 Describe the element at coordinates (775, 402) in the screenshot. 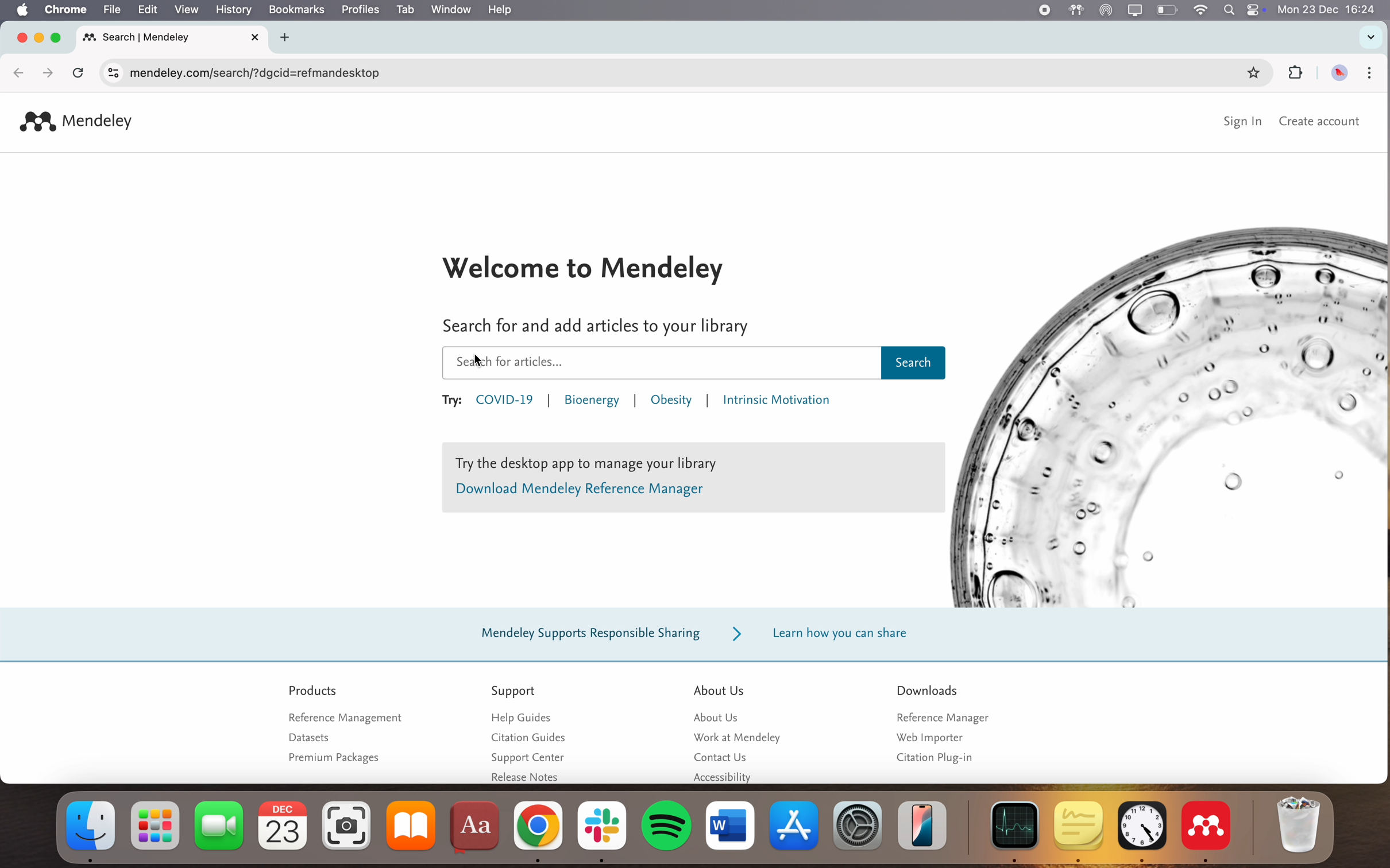

I see `intrinsic motivation` at that location.